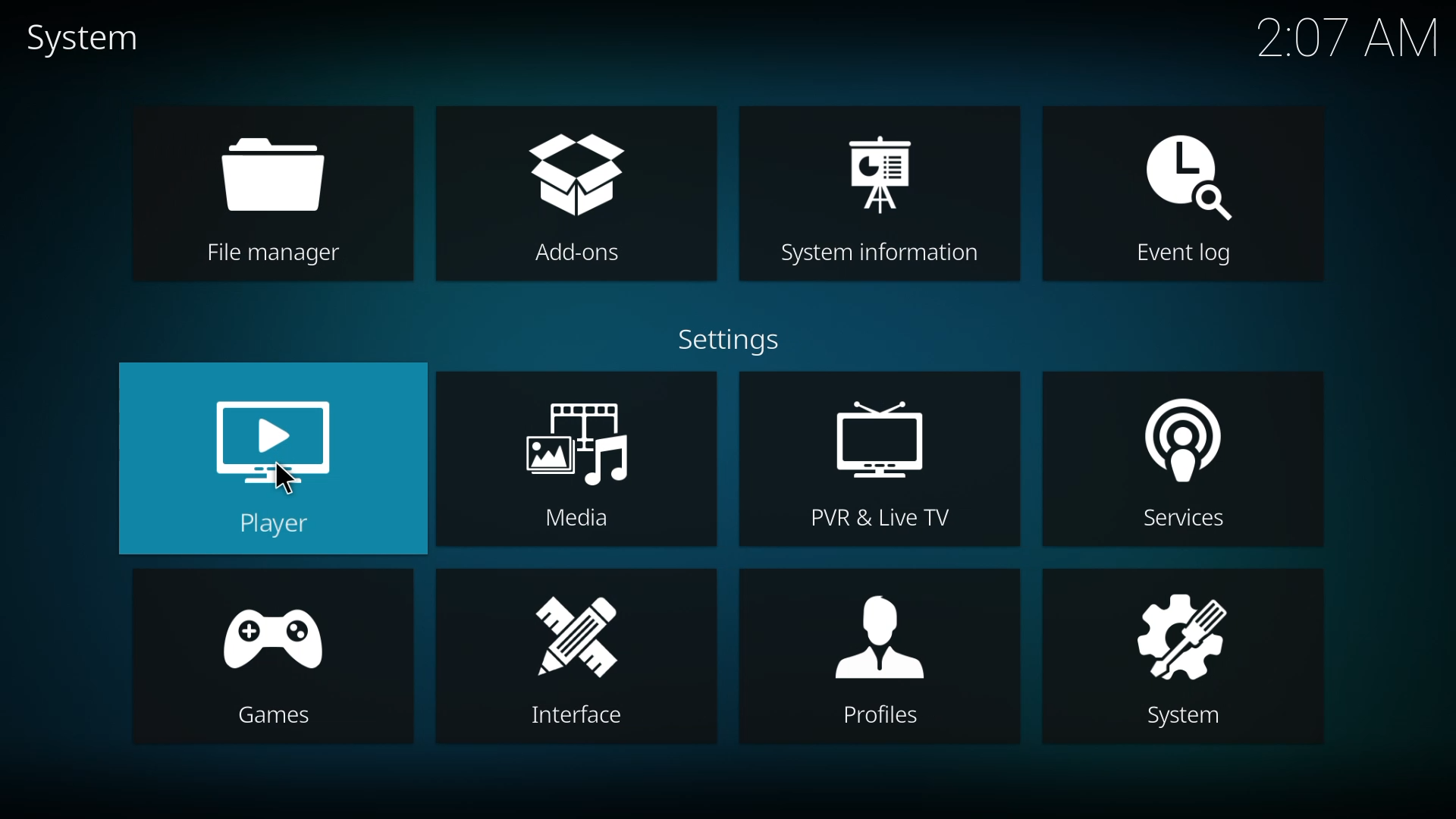  What do you see at coordinates (284, 479) in the screenshot?
I see `cursor` at bounding box center [284, 479].